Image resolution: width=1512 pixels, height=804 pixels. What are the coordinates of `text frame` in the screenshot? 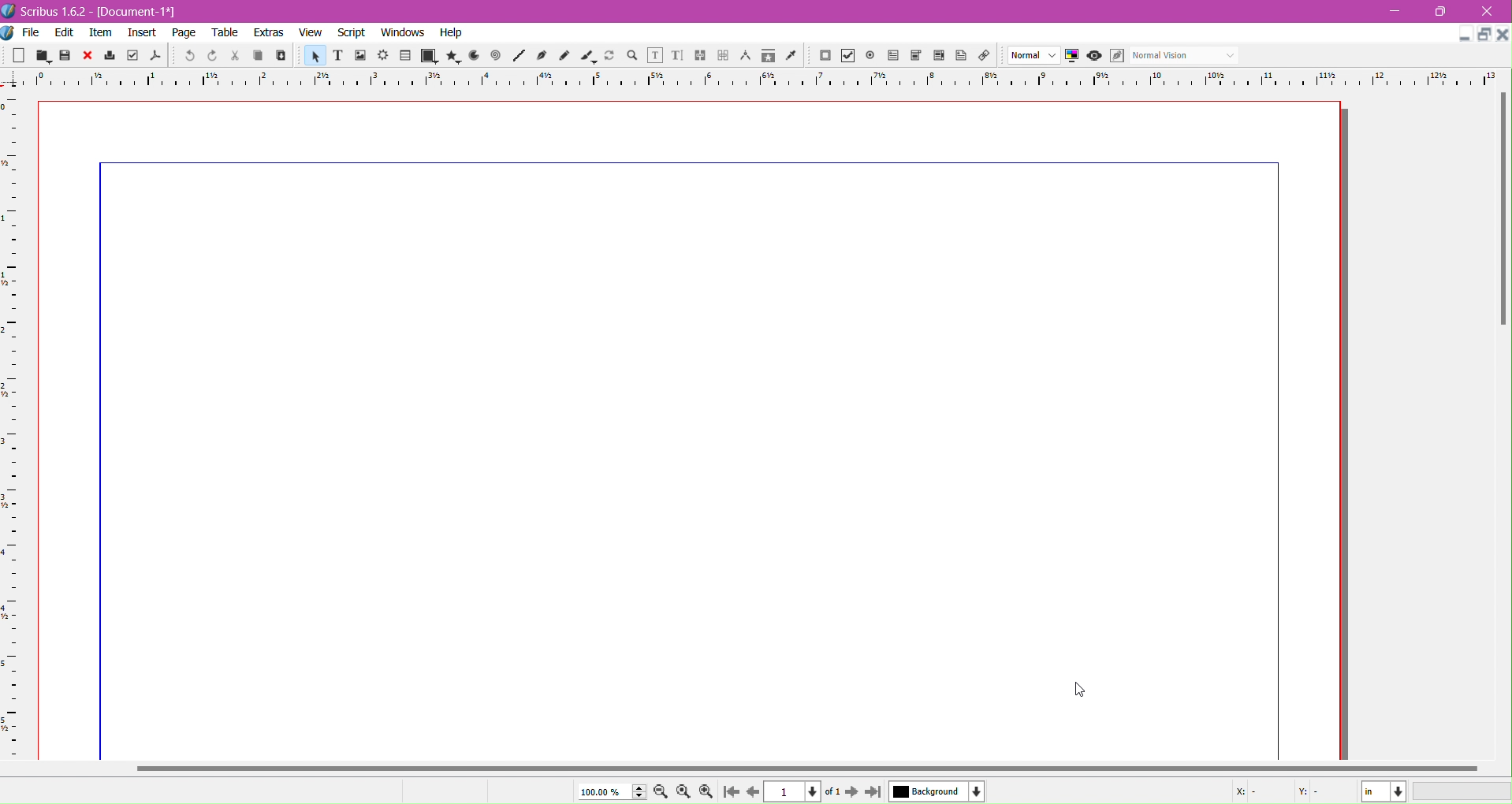 It's located at (337, 58).